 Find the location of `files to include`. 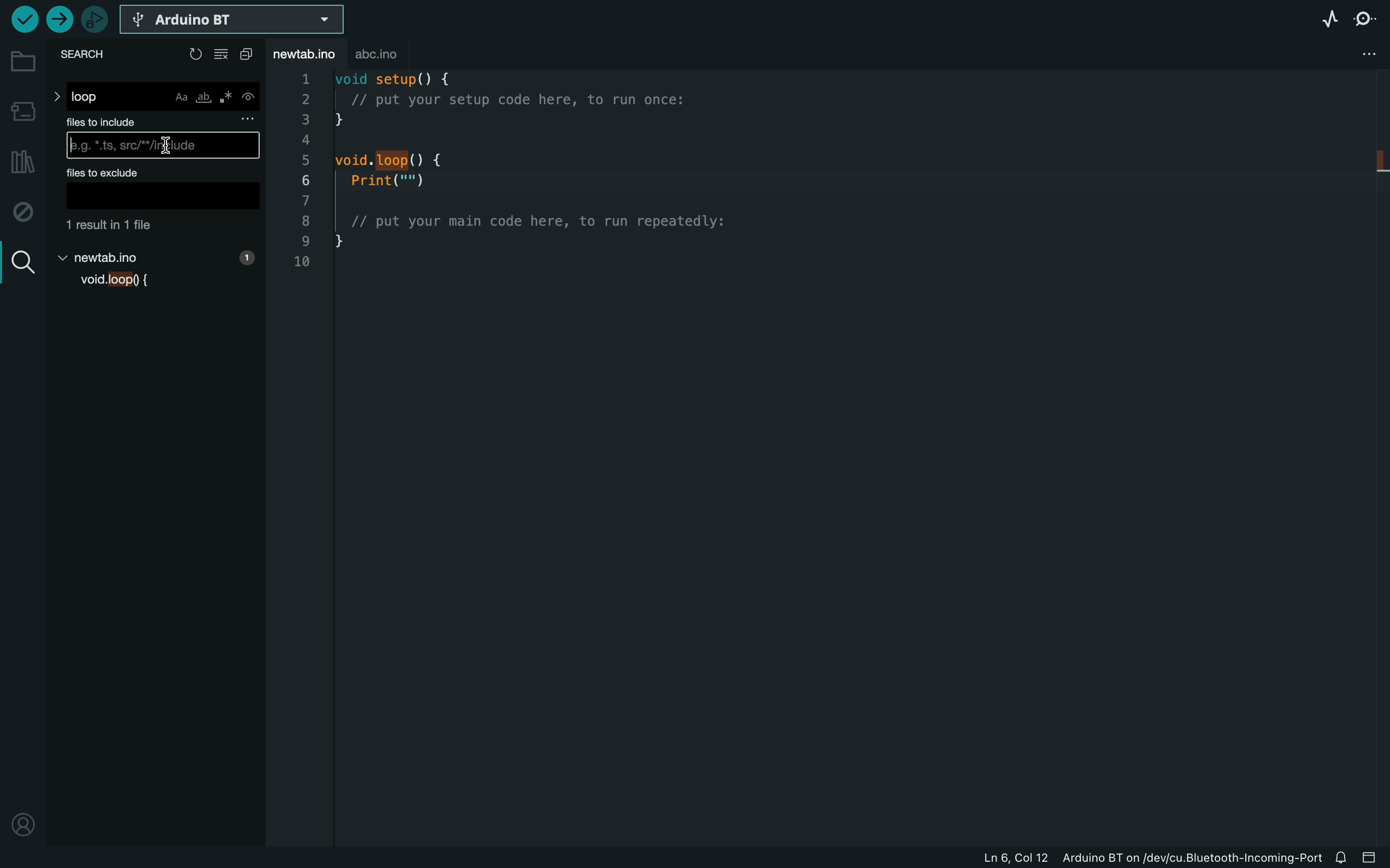

files to include is located at coordinates (165, 121).